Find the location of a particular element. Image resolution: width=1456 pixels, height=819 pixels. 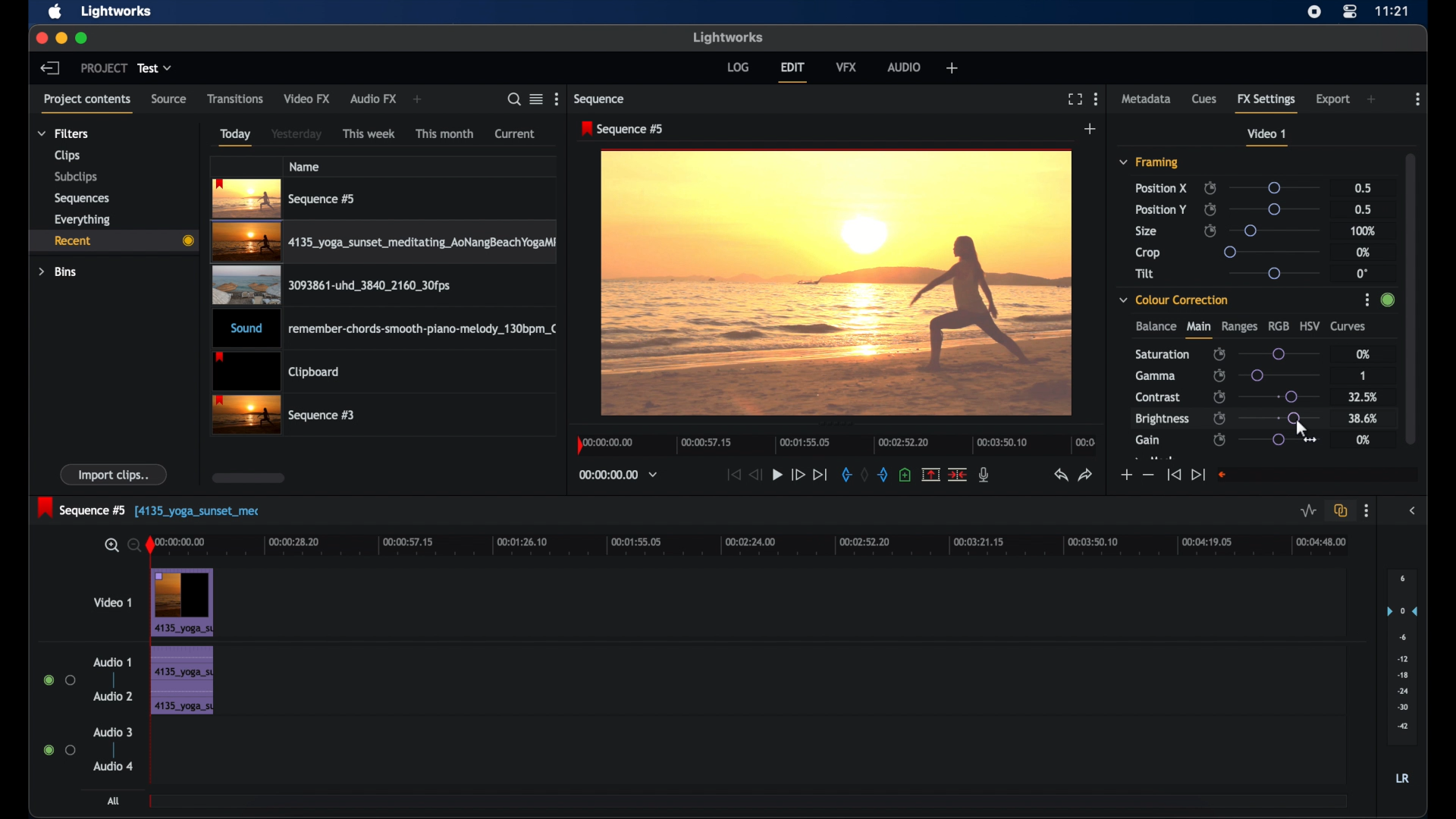

edit is located at coordinates (792, 72).